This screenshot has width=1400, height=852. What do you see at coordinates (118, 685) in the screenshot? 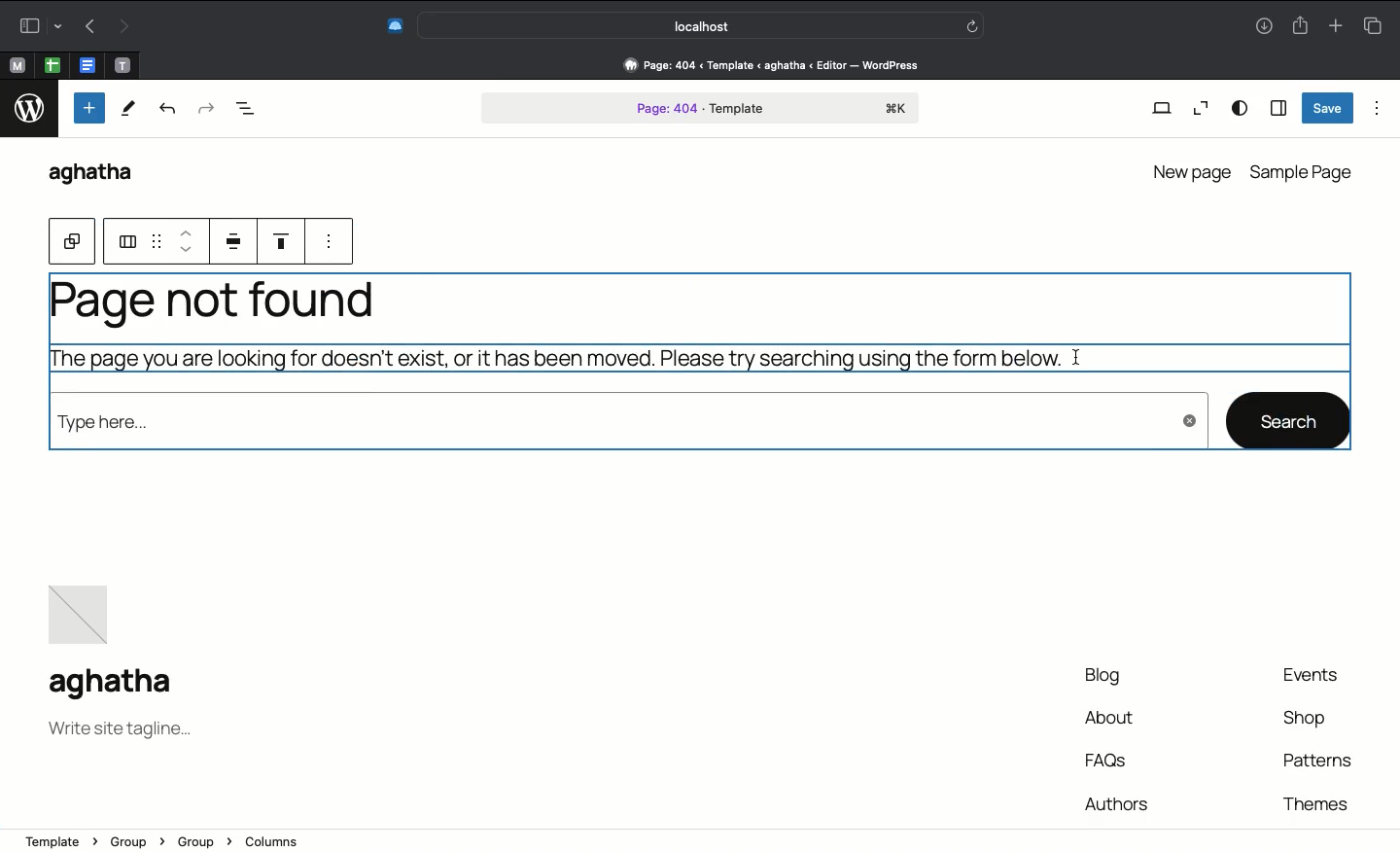
I see `Name` at bounding box center [118, 685].